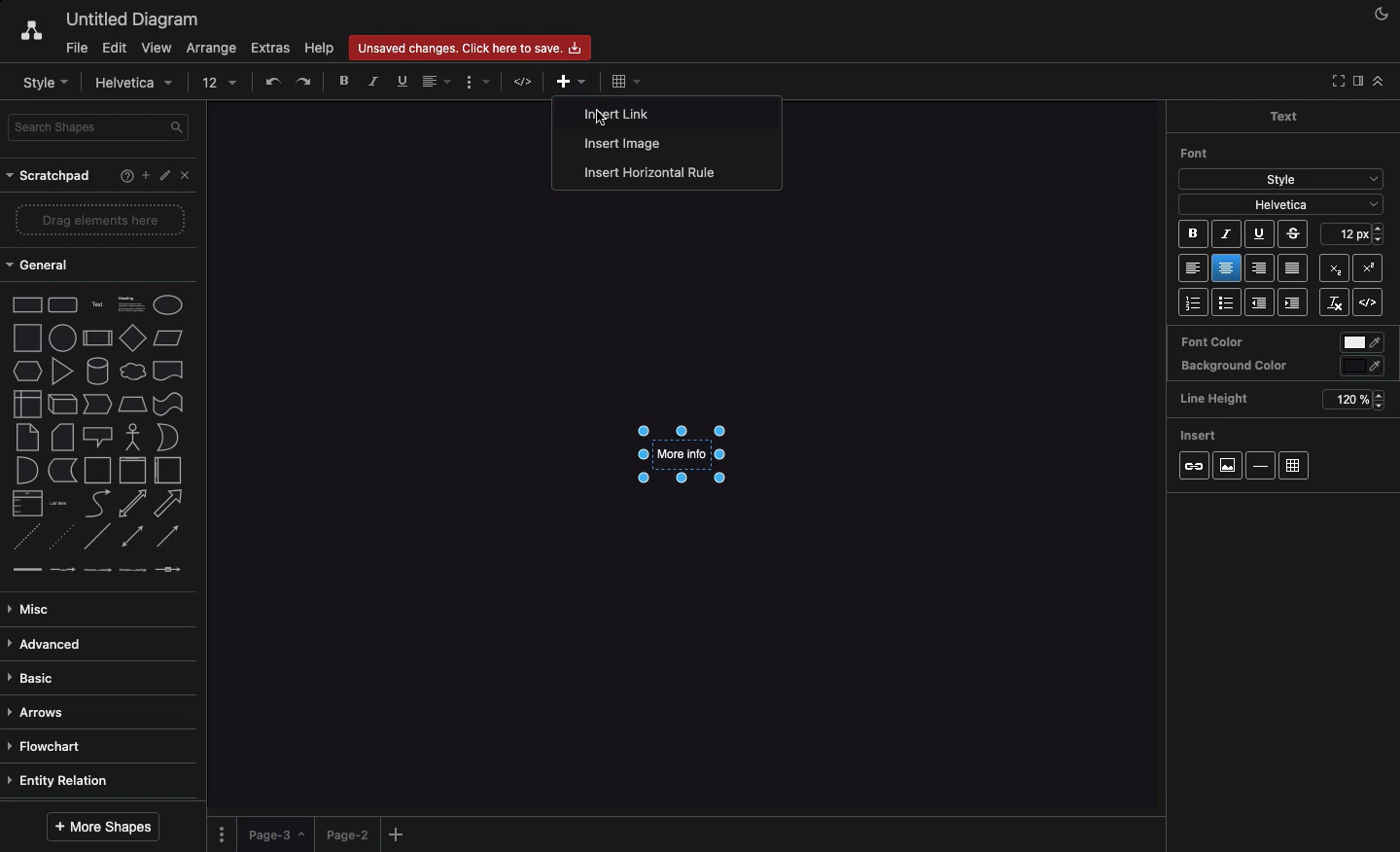 The image size is (1400, 852). I want to click on Ellipse, so click(168, 305).